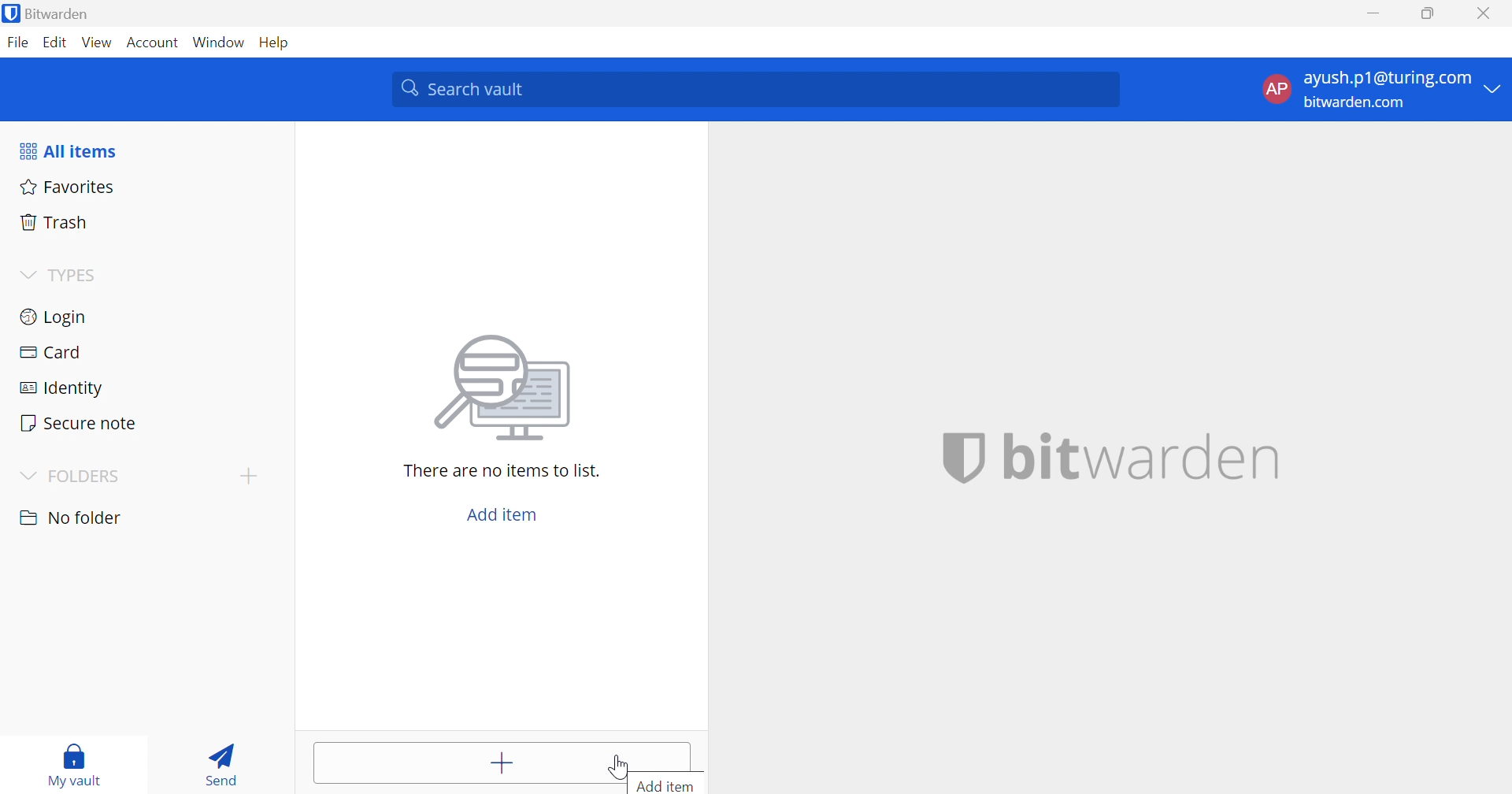 The height and width of the screenshot is (794, 1512). What do you see at coordinates (621, 766) in the screenshot?
I see `cursor` at bounding box center [621, 766].